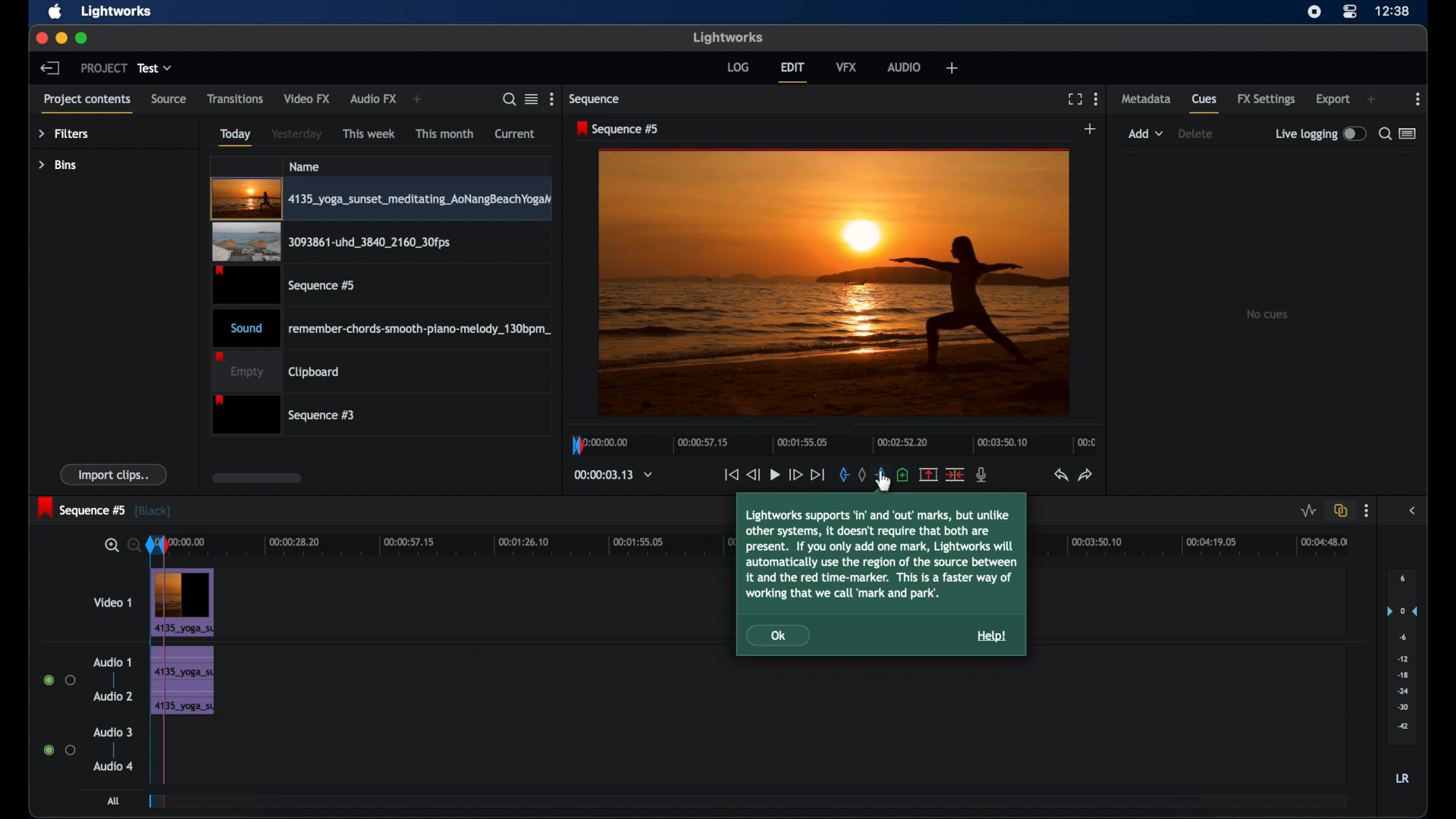 Image resolution: width=1456 pixels, height=819 pixels. I want to click on in mark, so click(843, 475).